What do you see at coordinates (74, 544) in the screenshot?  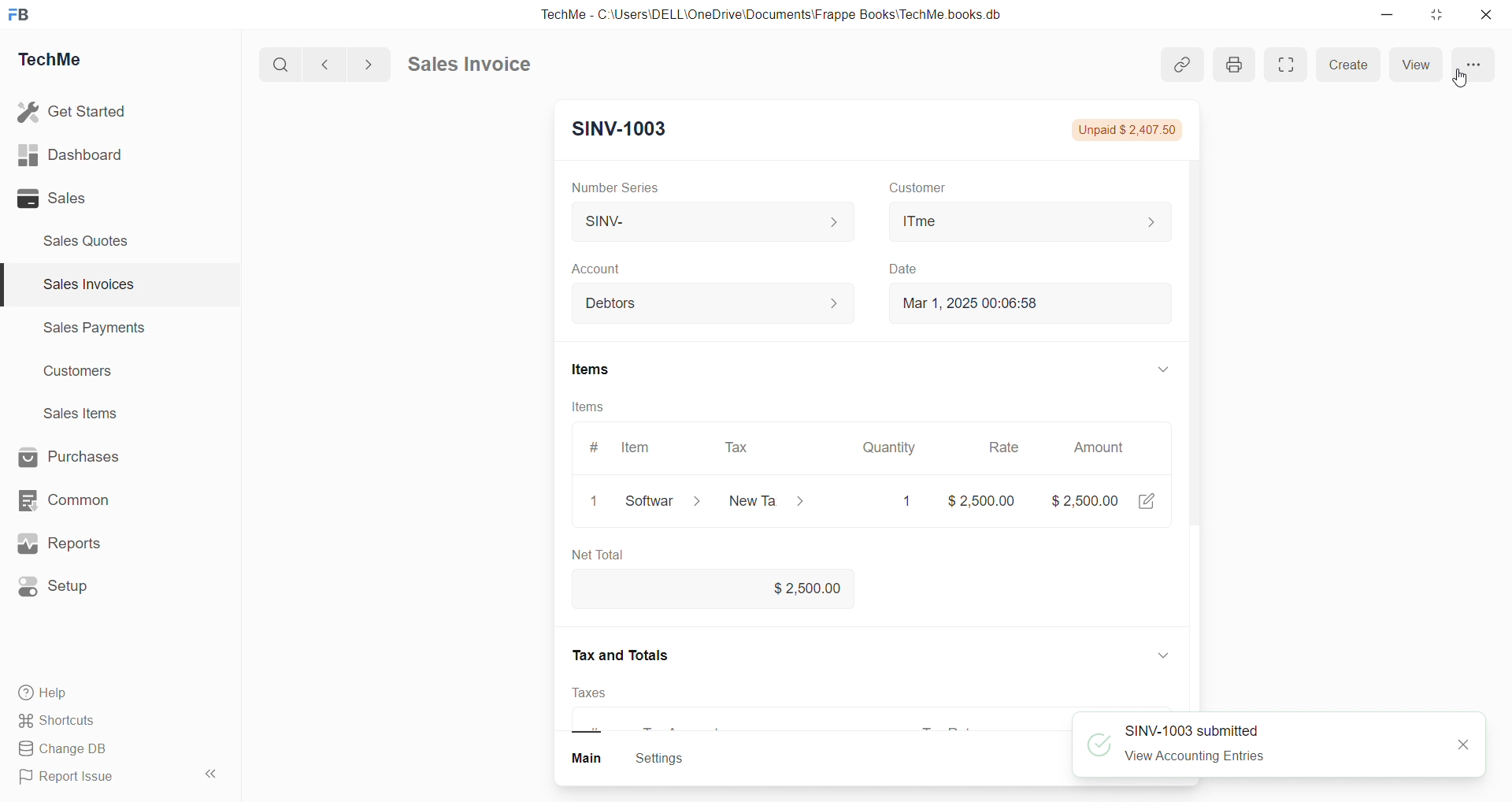 I see `ws Reports` at bounding box center [74, 544].